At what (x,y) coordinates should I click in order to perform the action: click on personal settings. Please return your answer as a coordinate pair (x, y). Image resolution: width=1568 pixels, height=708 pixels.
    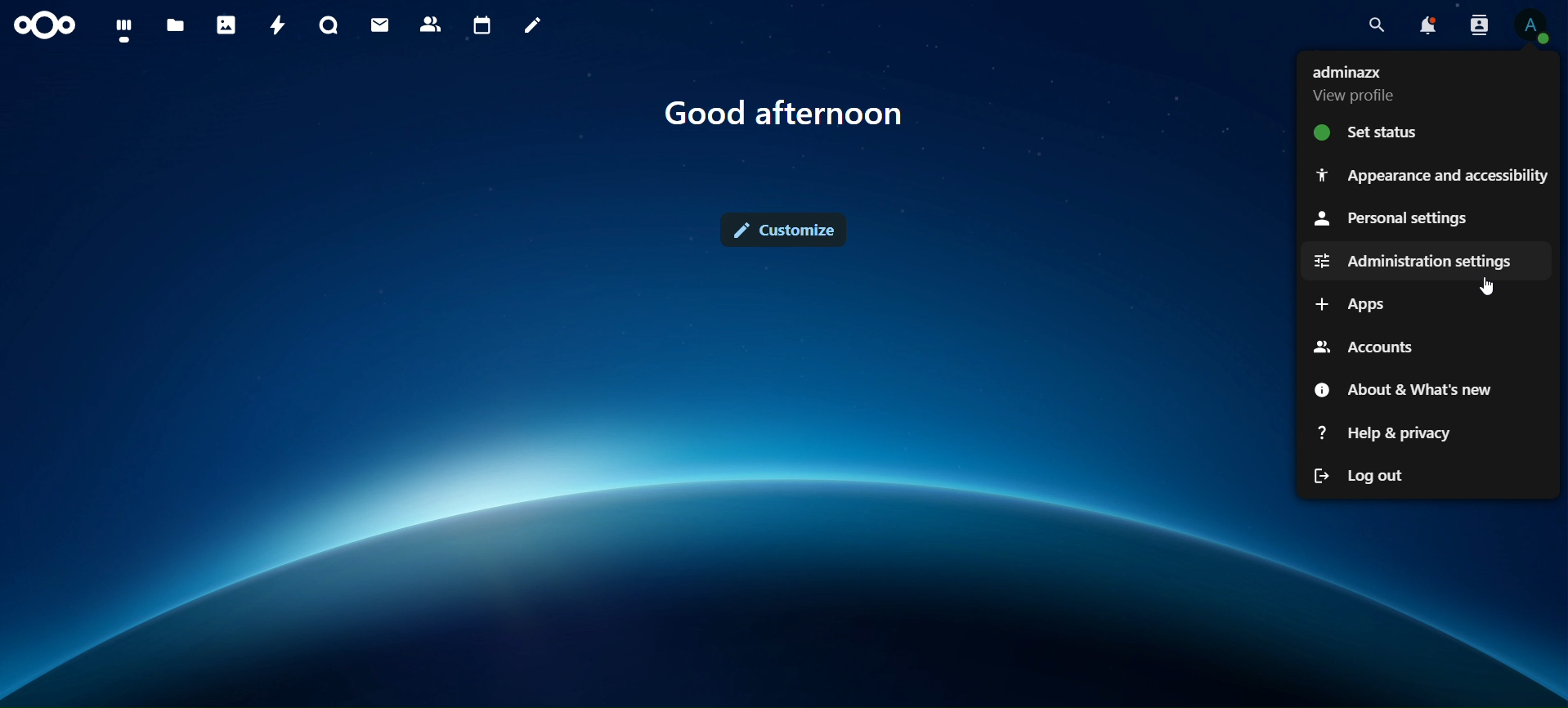
    Looking at the image, I should click on (1391, 217).